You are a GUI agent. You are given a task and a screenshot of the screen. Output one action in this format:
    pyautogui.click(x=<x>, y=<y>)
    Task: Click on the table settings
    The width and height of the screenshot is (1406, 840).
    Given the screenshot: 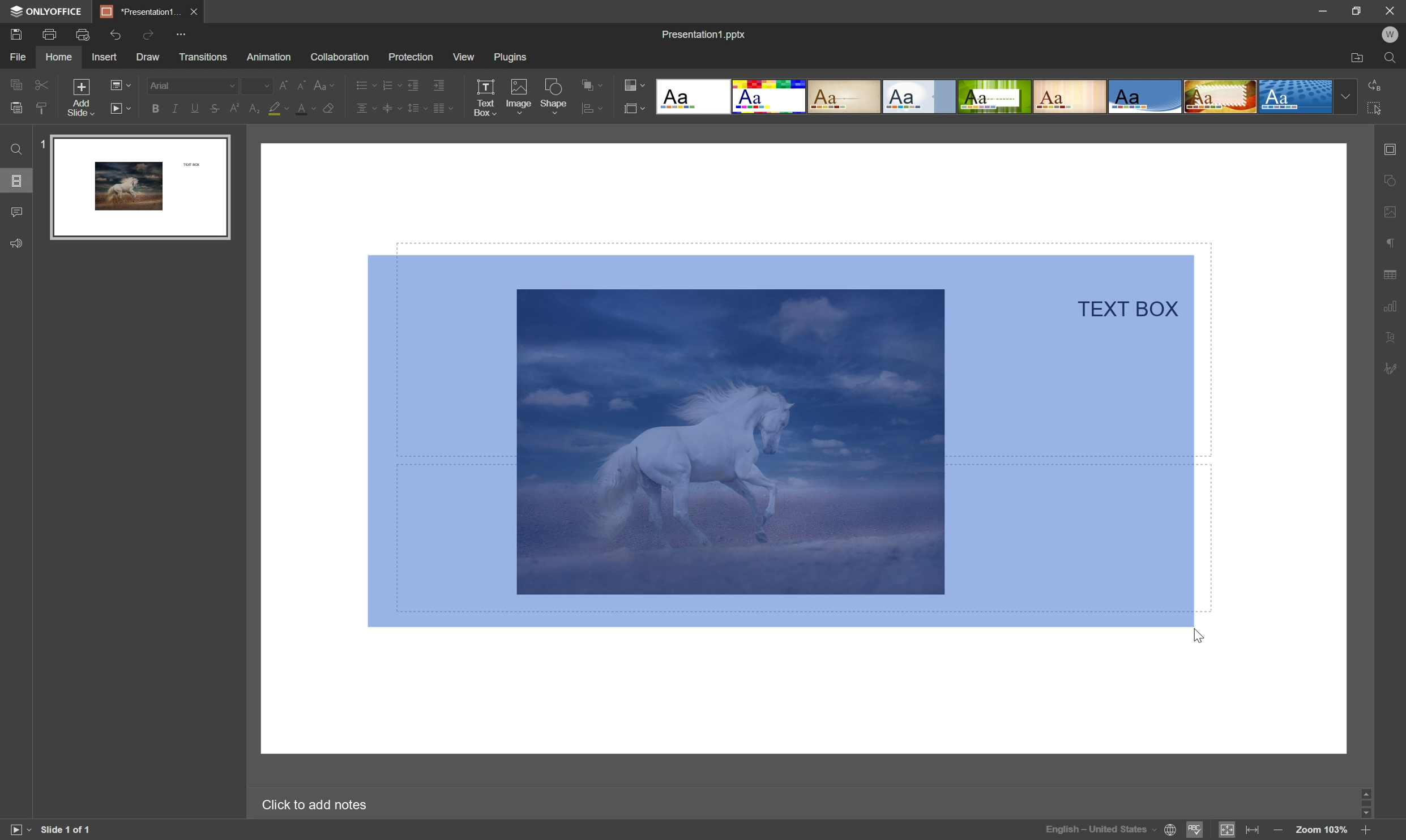 What is the action you would take?
    pyautogui.click(x=1391, y=275)
    